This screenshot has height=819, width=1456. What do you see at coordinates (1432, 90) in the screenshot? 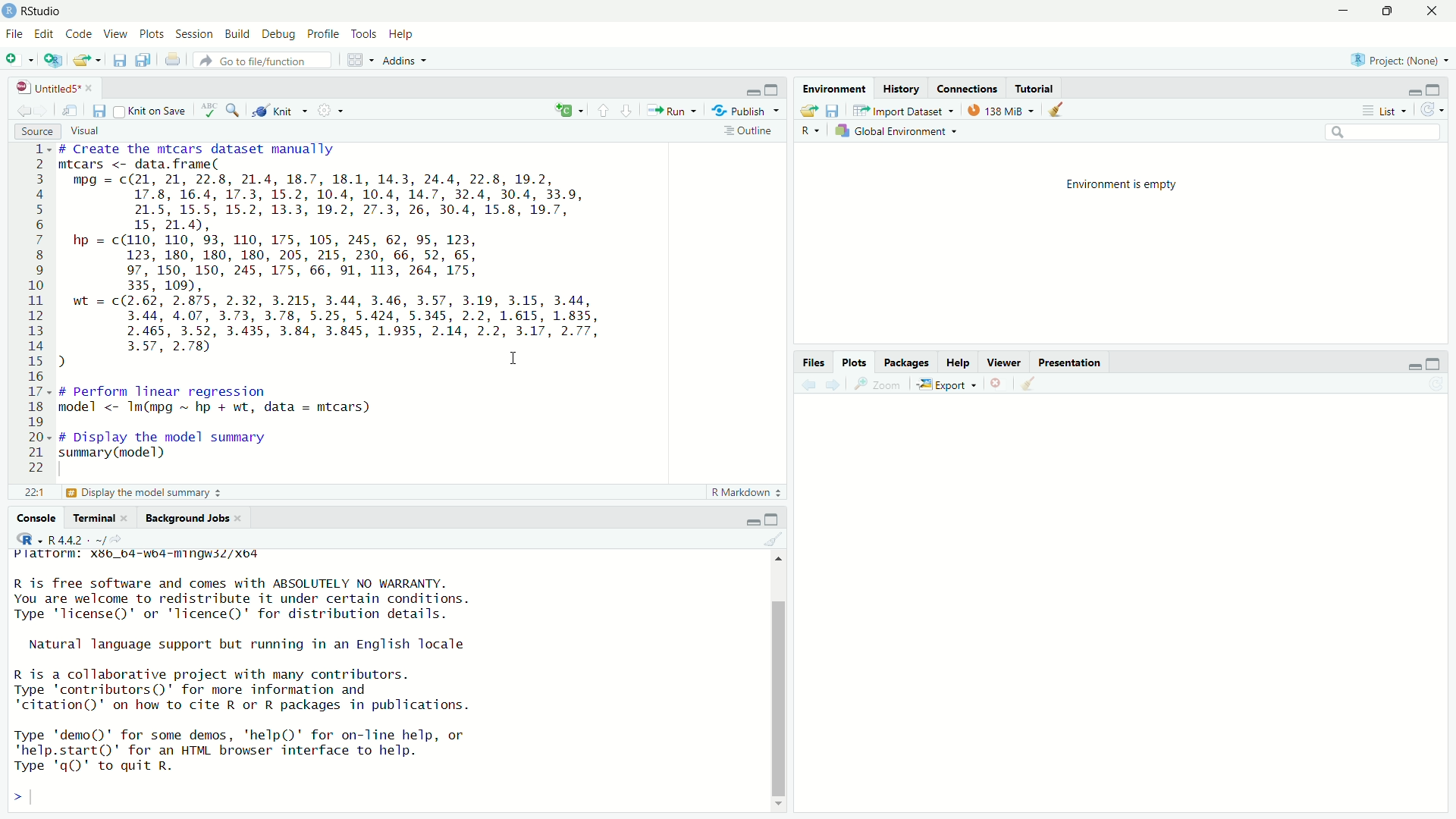
I see `maximize` at bounding box center [1432, 90].